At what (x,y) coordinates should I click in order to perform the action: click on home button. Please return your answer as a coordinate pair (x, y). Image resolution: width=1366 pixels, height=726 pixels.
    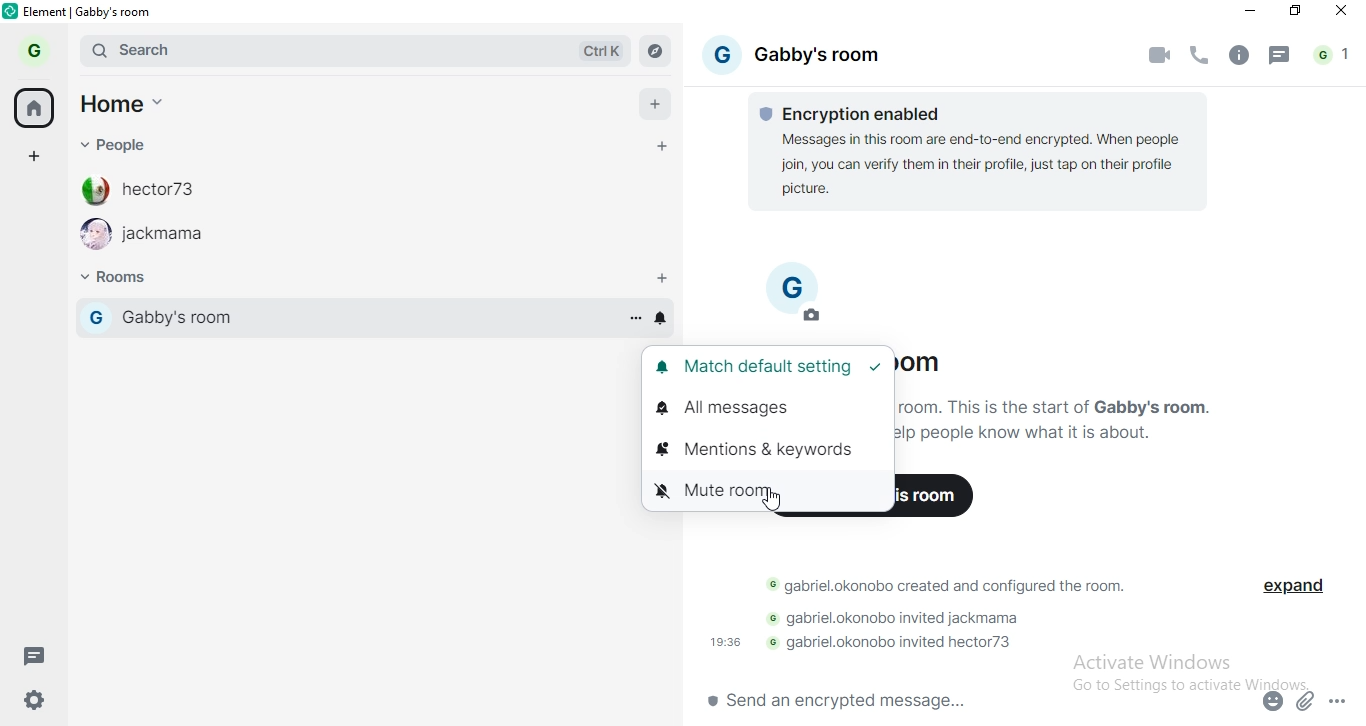
    Looking at the image, I should click on (36, 109).